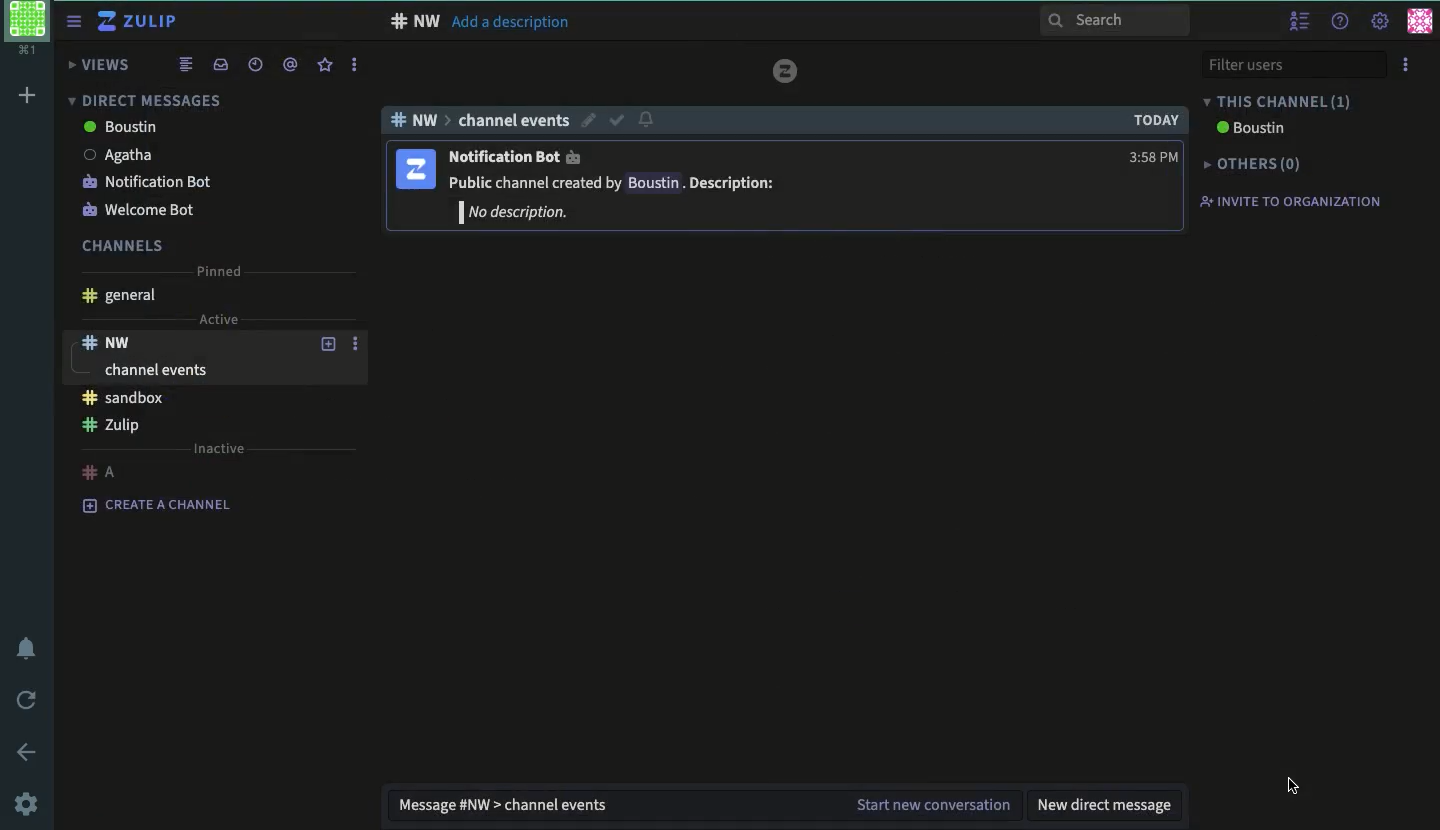  Describe the element at coordinates (29, 697) in the screenshot. I see `refresh` at that location.